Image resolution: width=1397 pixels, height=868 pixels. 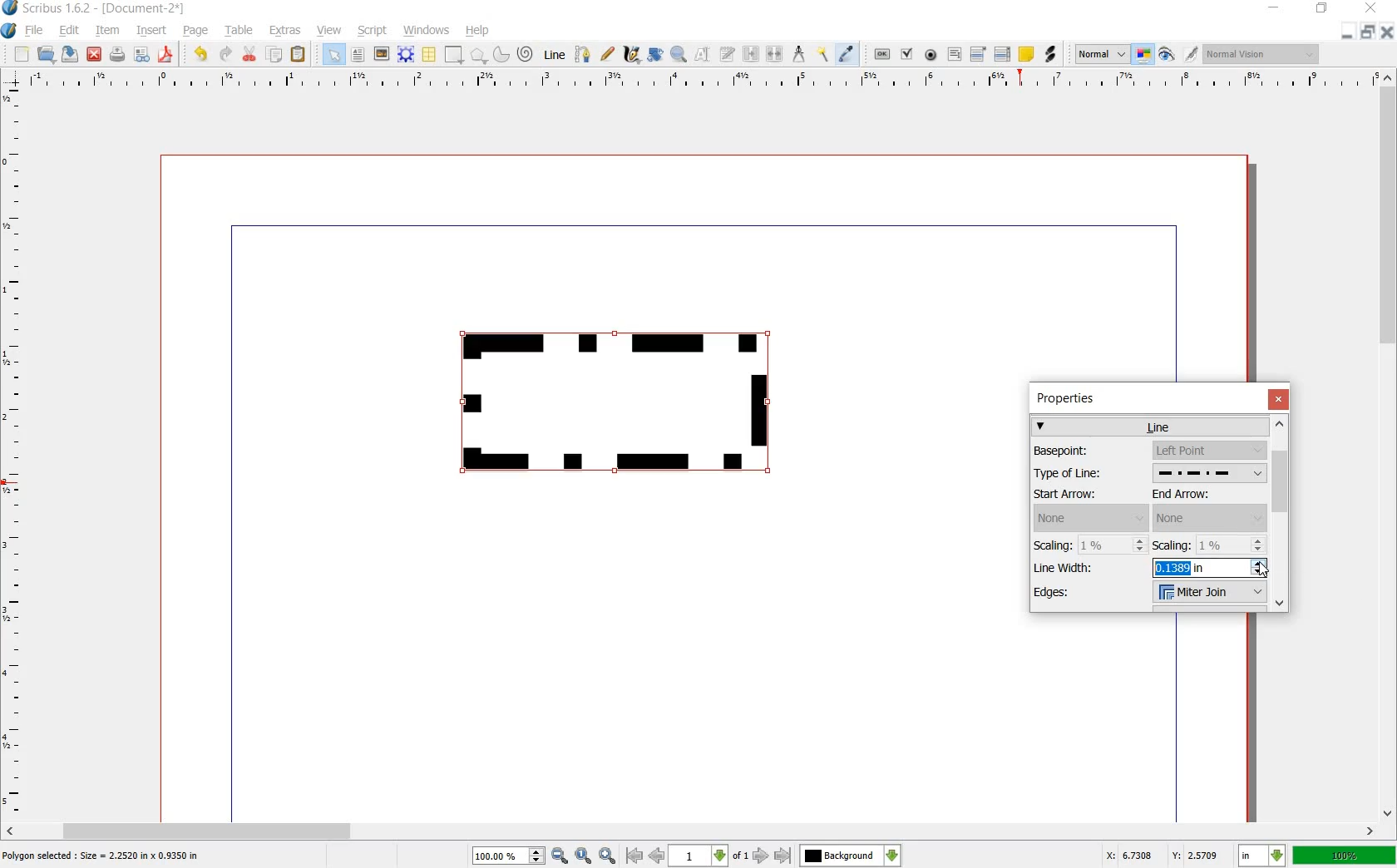 I want to click on TABLE, so click(x=430, y=55).